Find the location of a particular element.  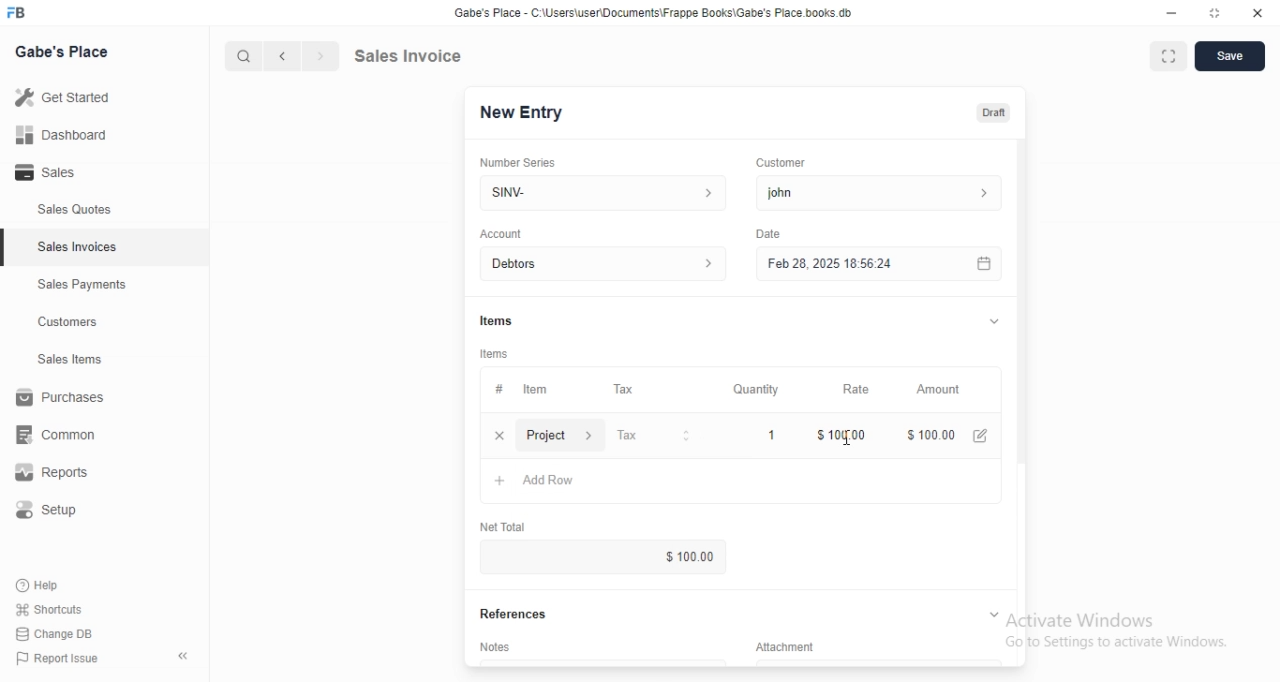

$100.00 is located at coordinates (927, 433).